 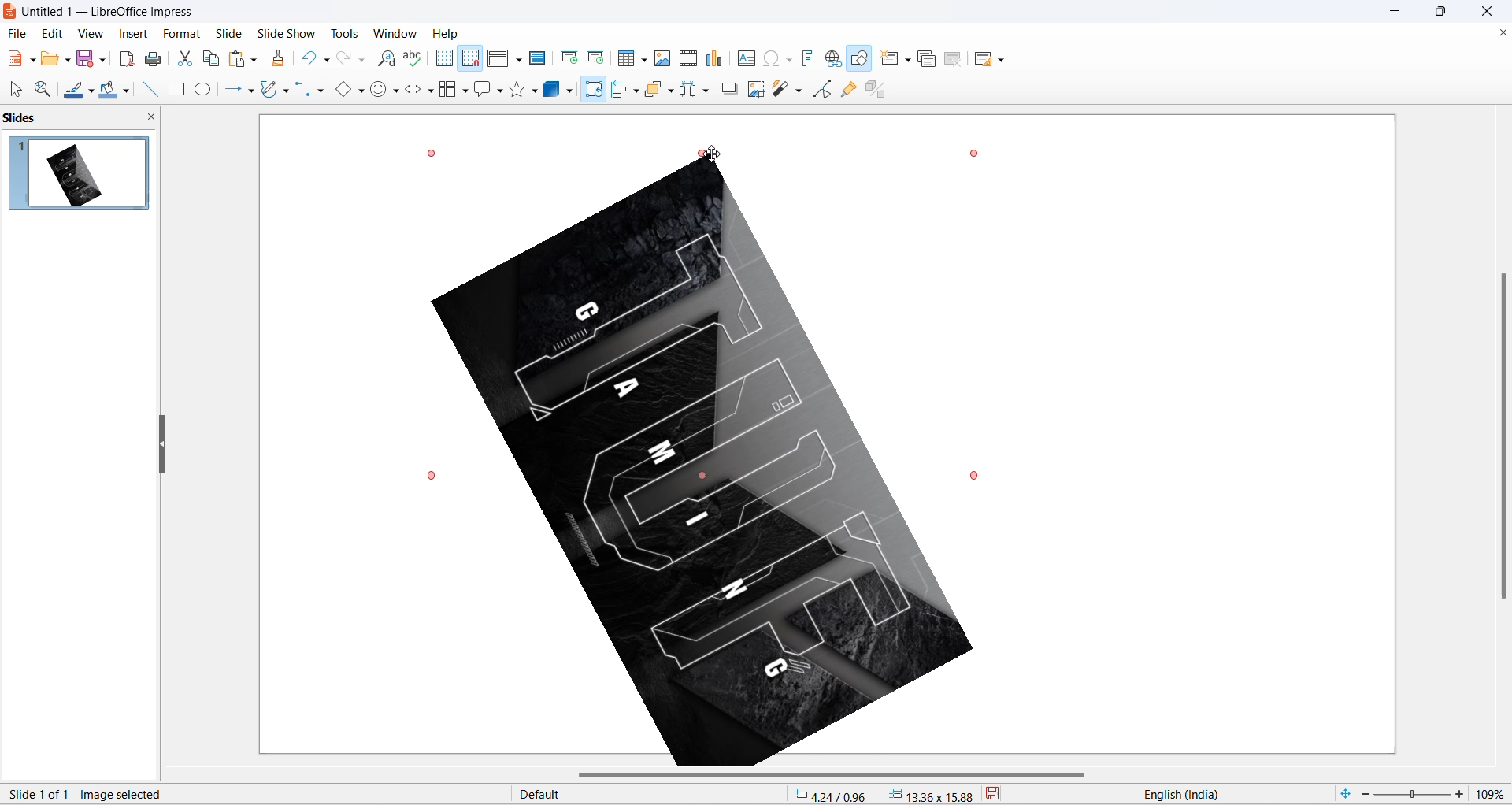 What do you see at coordinates (825, 88) in the screenshot?
I see `toggle edit mode icon` at bounding box center [825, 88].